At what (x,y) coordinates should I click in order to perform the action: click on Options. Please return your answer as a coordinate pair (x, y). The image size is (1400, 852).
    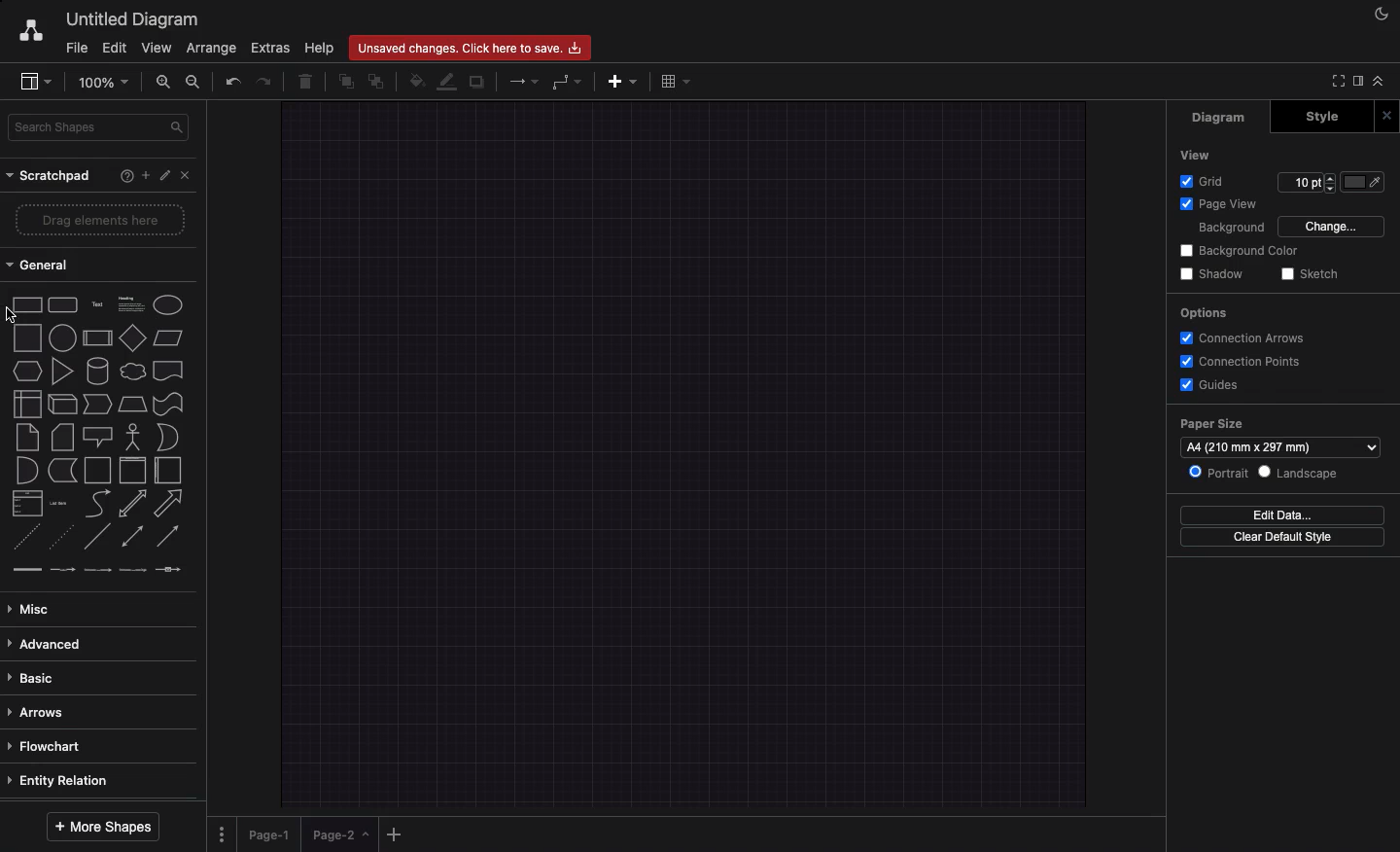
    Looking at the image, I should click on (222, 828).